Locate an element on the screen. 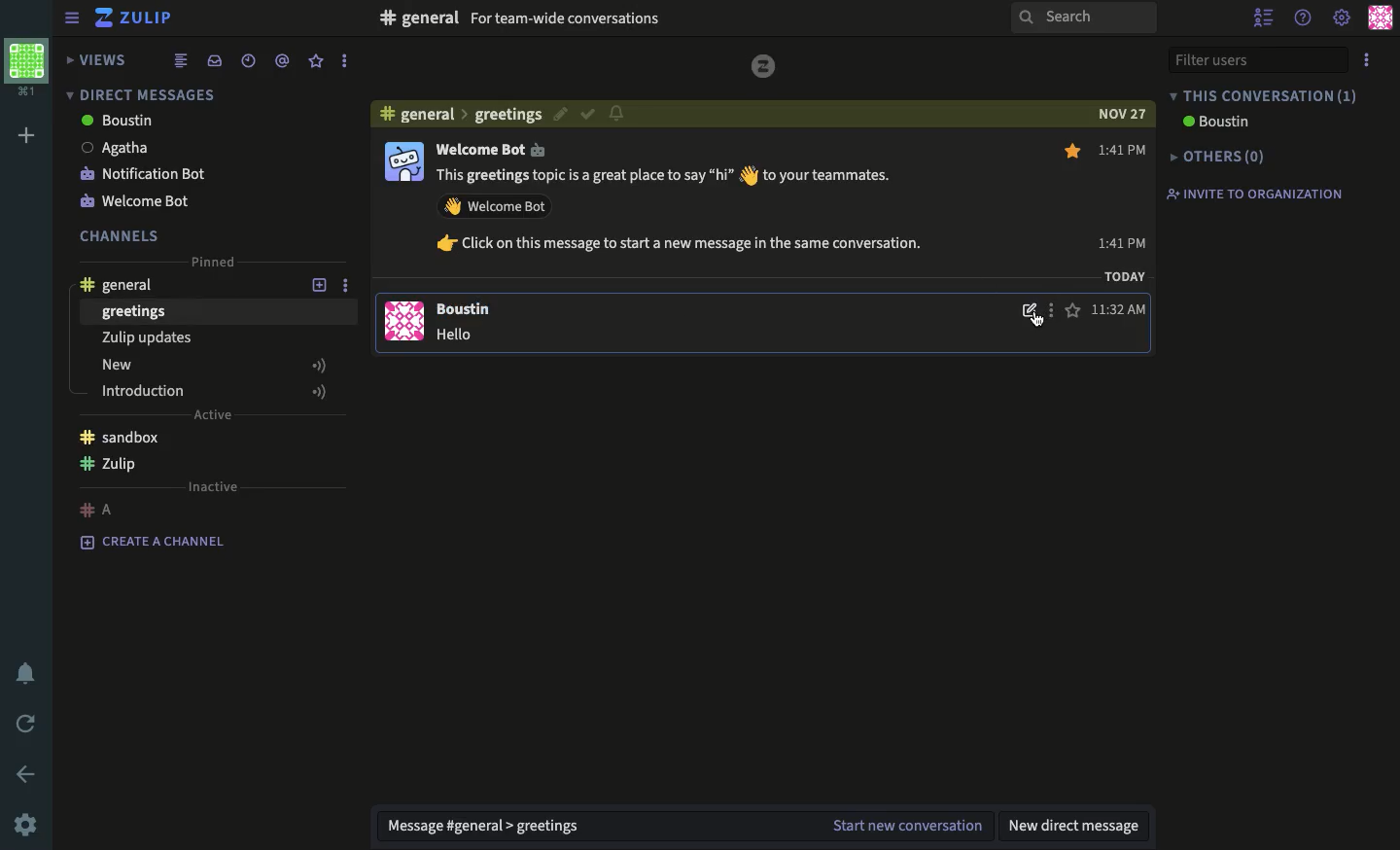 The image size is (1400, 850). boutsin is located at coordinates (120, 121).